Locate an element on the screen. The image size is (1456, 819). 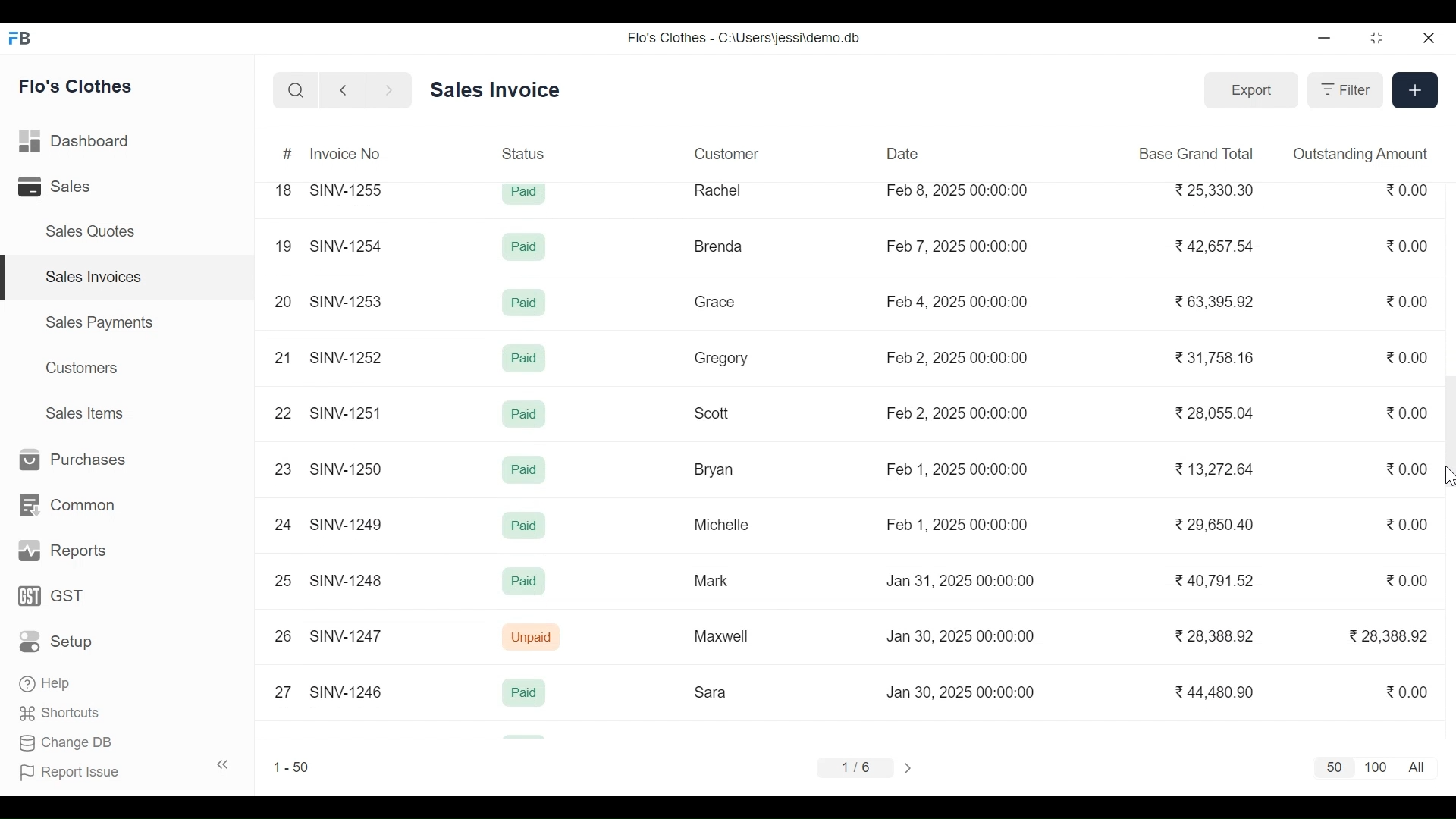
Dashboard is located at coordinates (76, 143).